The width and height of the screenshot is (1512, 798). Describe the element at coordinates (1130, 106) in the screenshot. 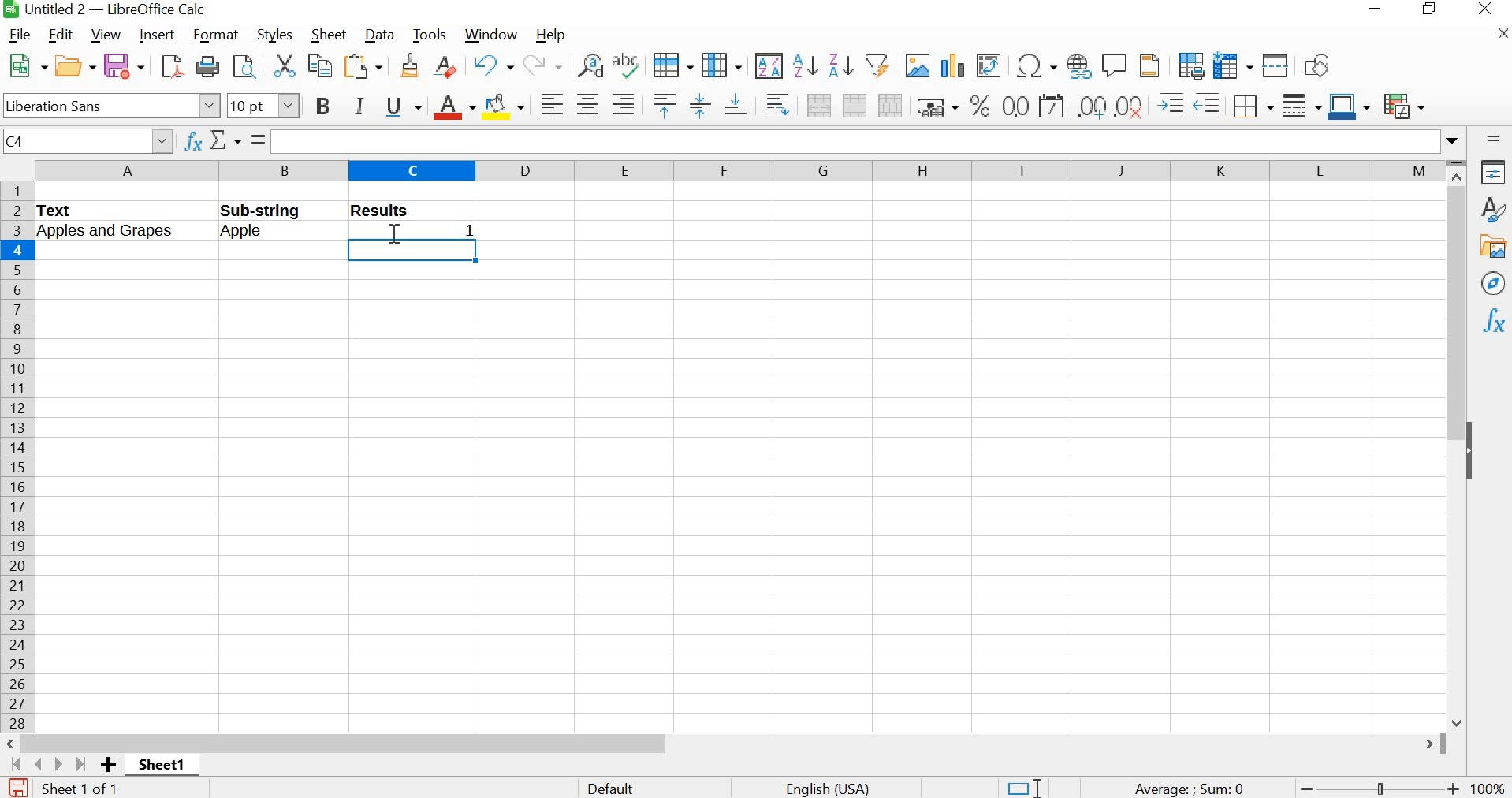

I see `delete decimal place` at that location.